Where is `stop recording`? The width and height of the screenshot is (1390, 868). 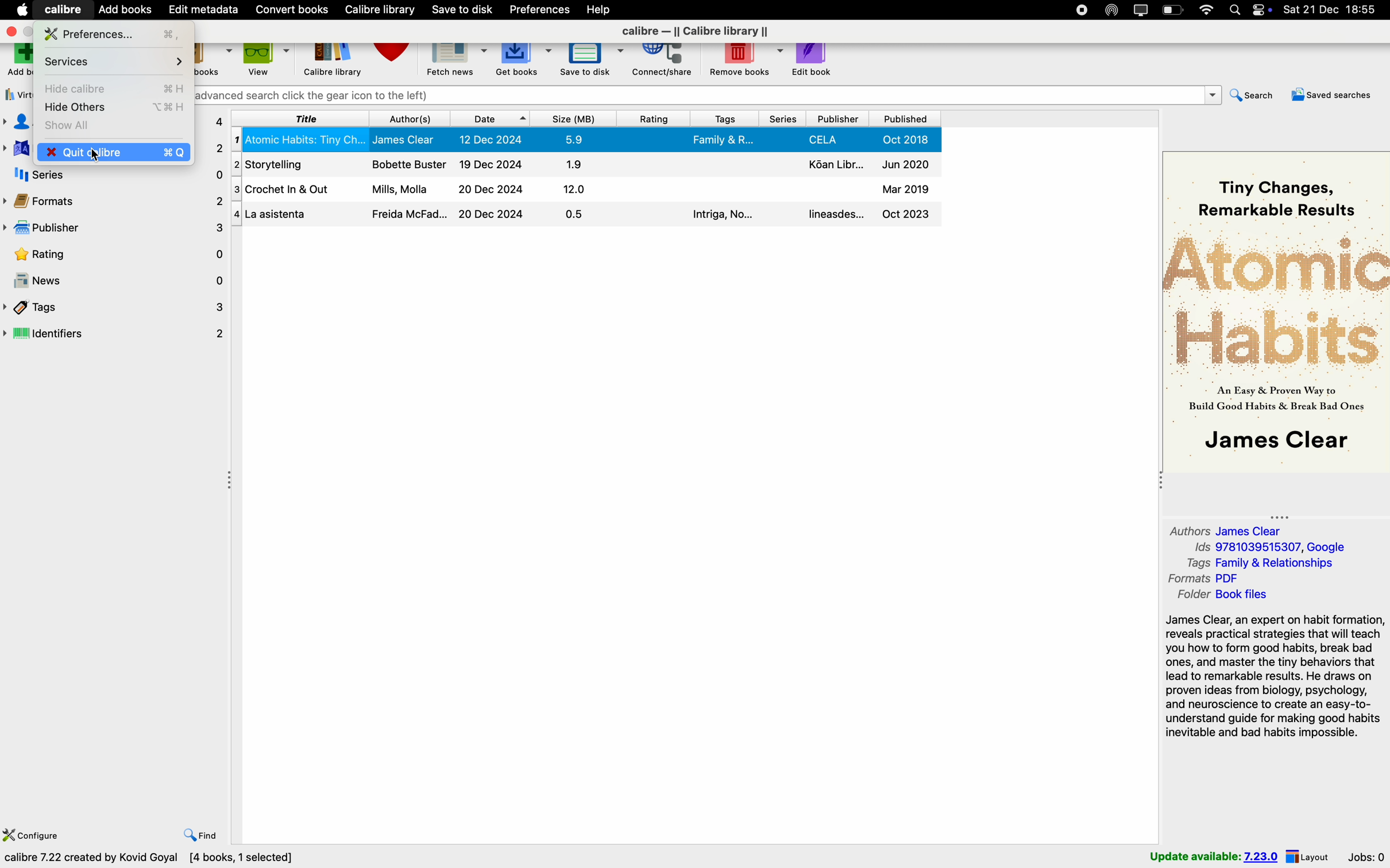 stop recording is located at coordinates (1079, 9).